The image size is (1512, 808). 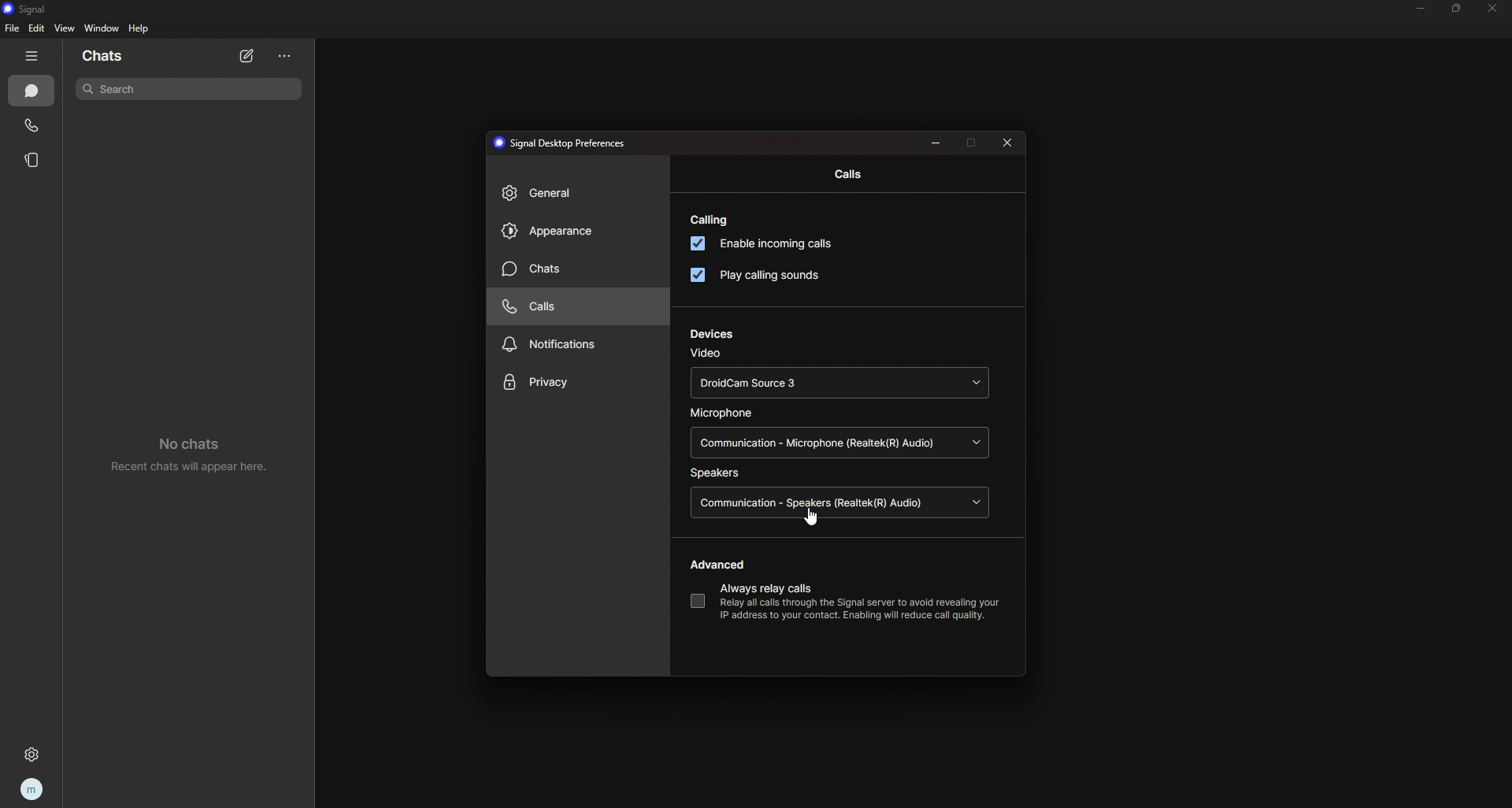 I want to click on view, so click(x=65, y=28).